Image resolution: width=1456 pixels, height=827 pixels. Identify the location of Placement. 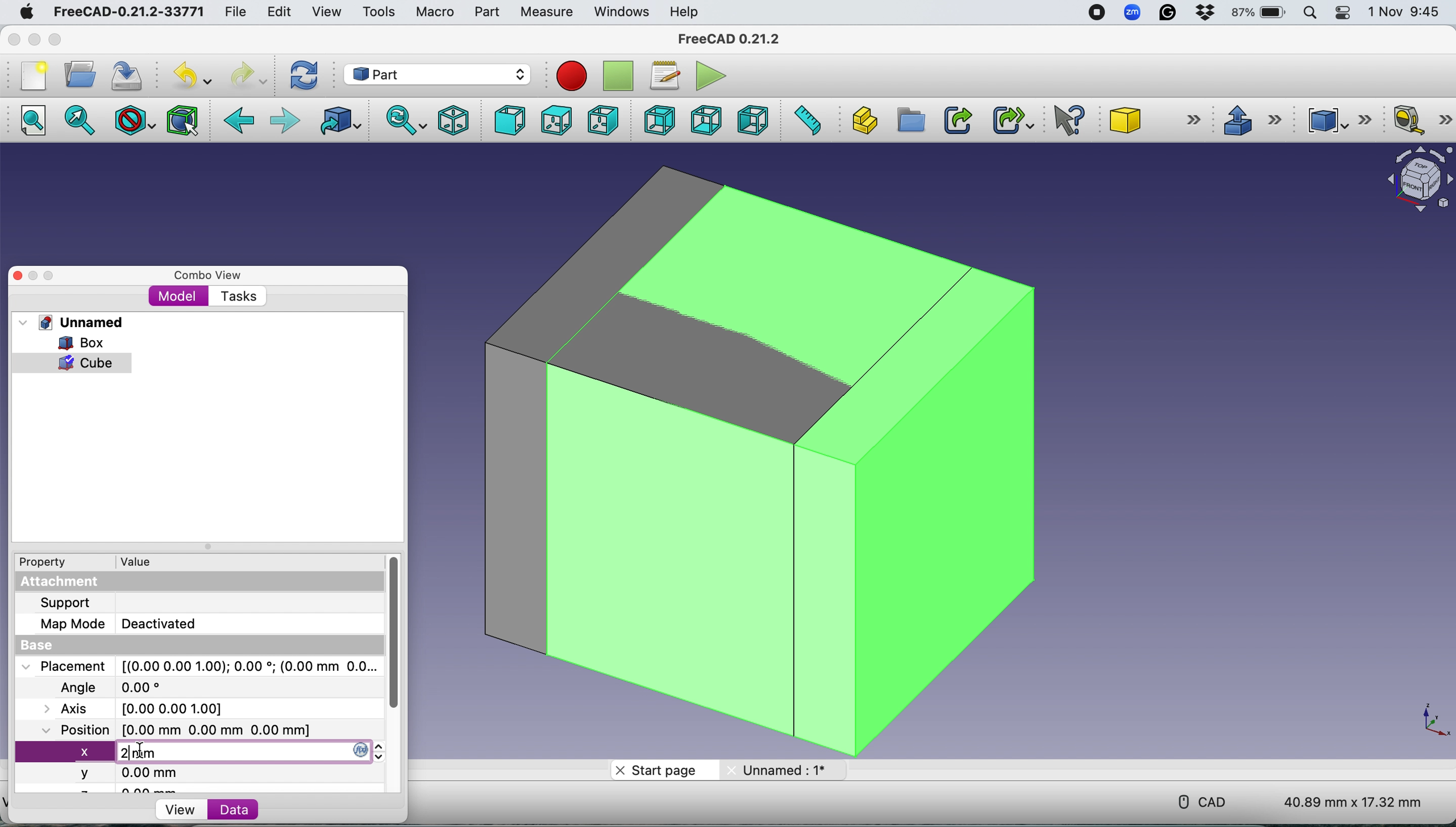
(202, 666).